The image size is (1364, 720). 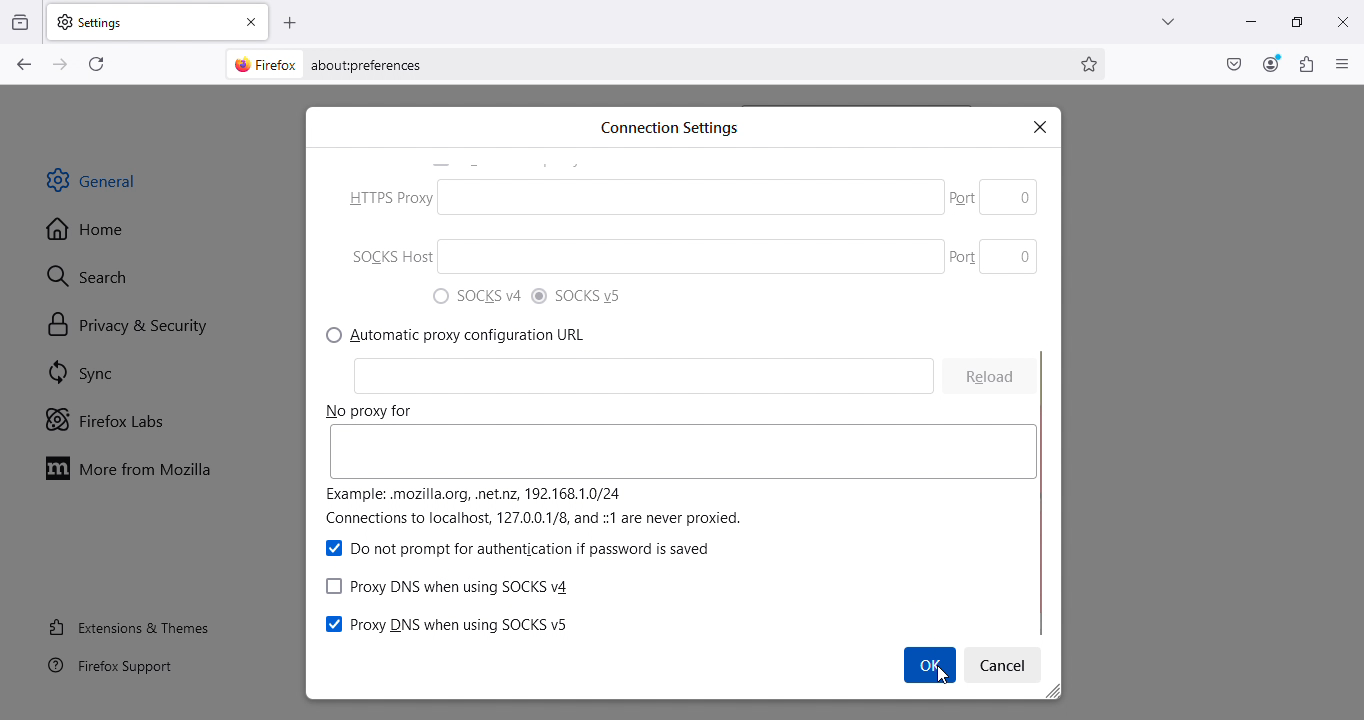 What do you see at coordinates (990, 254) in the screenshot?
I see `Part 0` at bounding box center [990, 254].